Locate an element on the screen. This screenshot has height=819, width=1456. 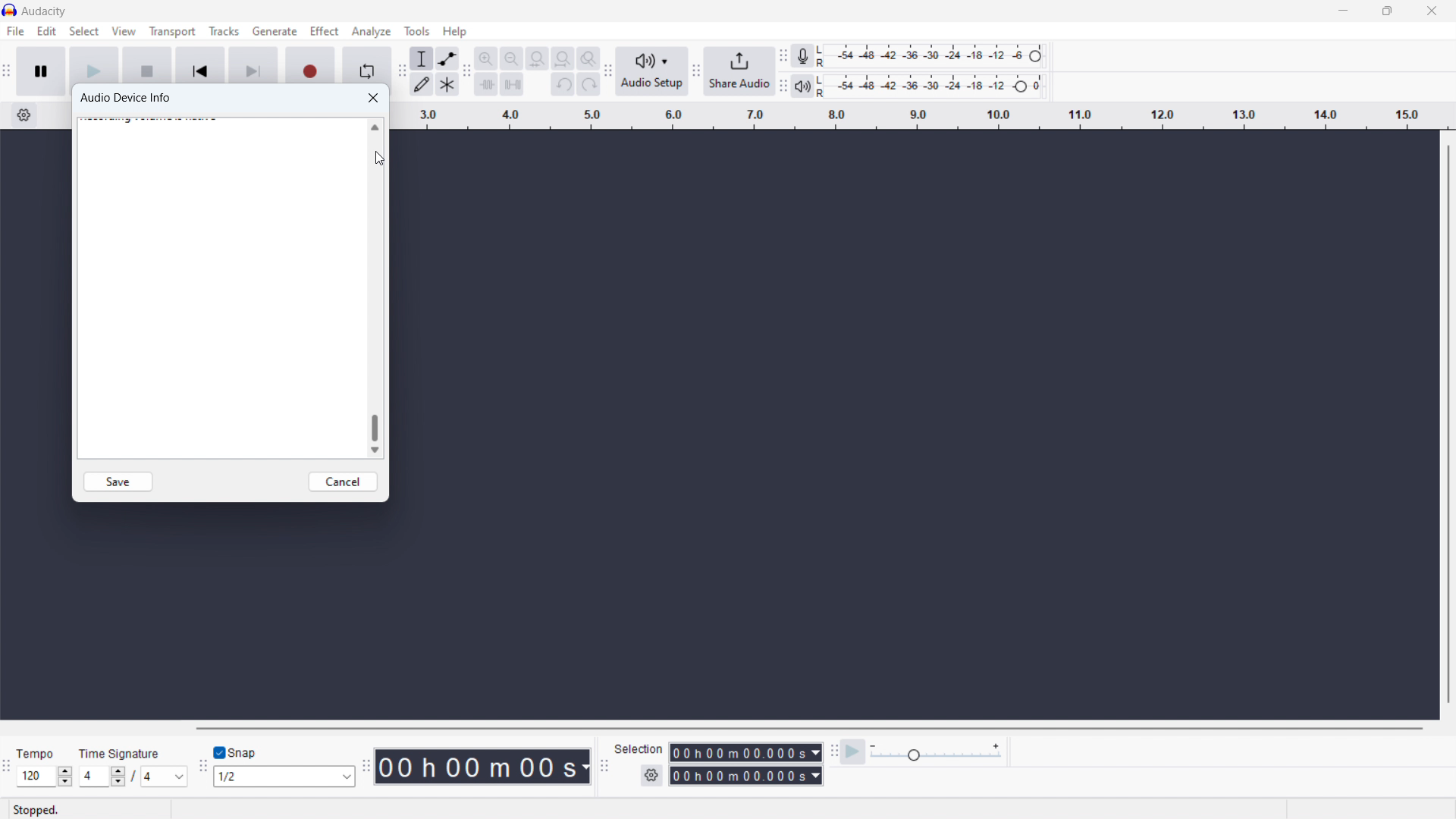
Cursor on help is located at coordinates (455, 33).